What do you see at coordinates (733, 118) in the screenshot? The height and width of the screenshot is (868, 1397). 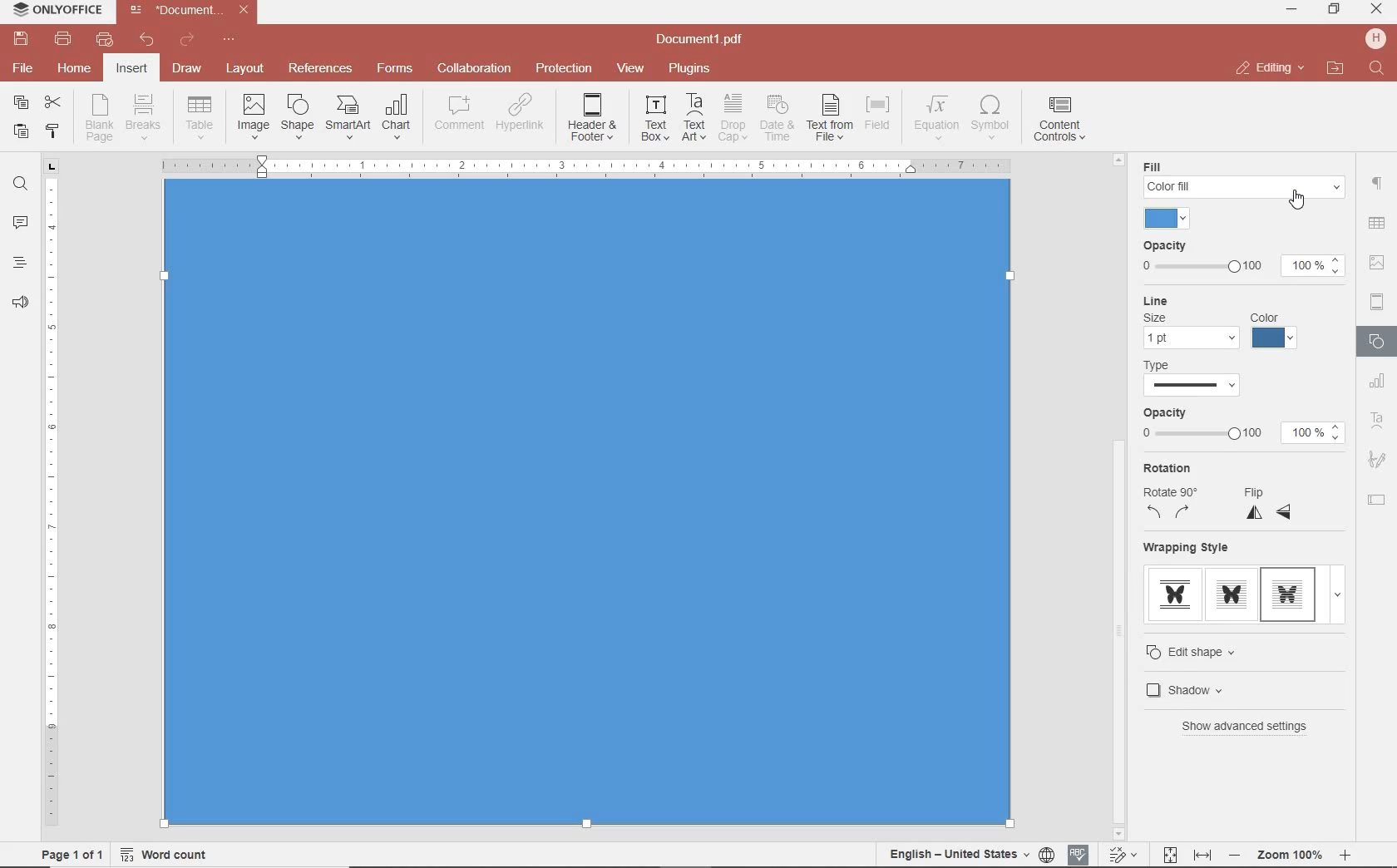 I see `DROP CAP` at bounding box center [733, 118].